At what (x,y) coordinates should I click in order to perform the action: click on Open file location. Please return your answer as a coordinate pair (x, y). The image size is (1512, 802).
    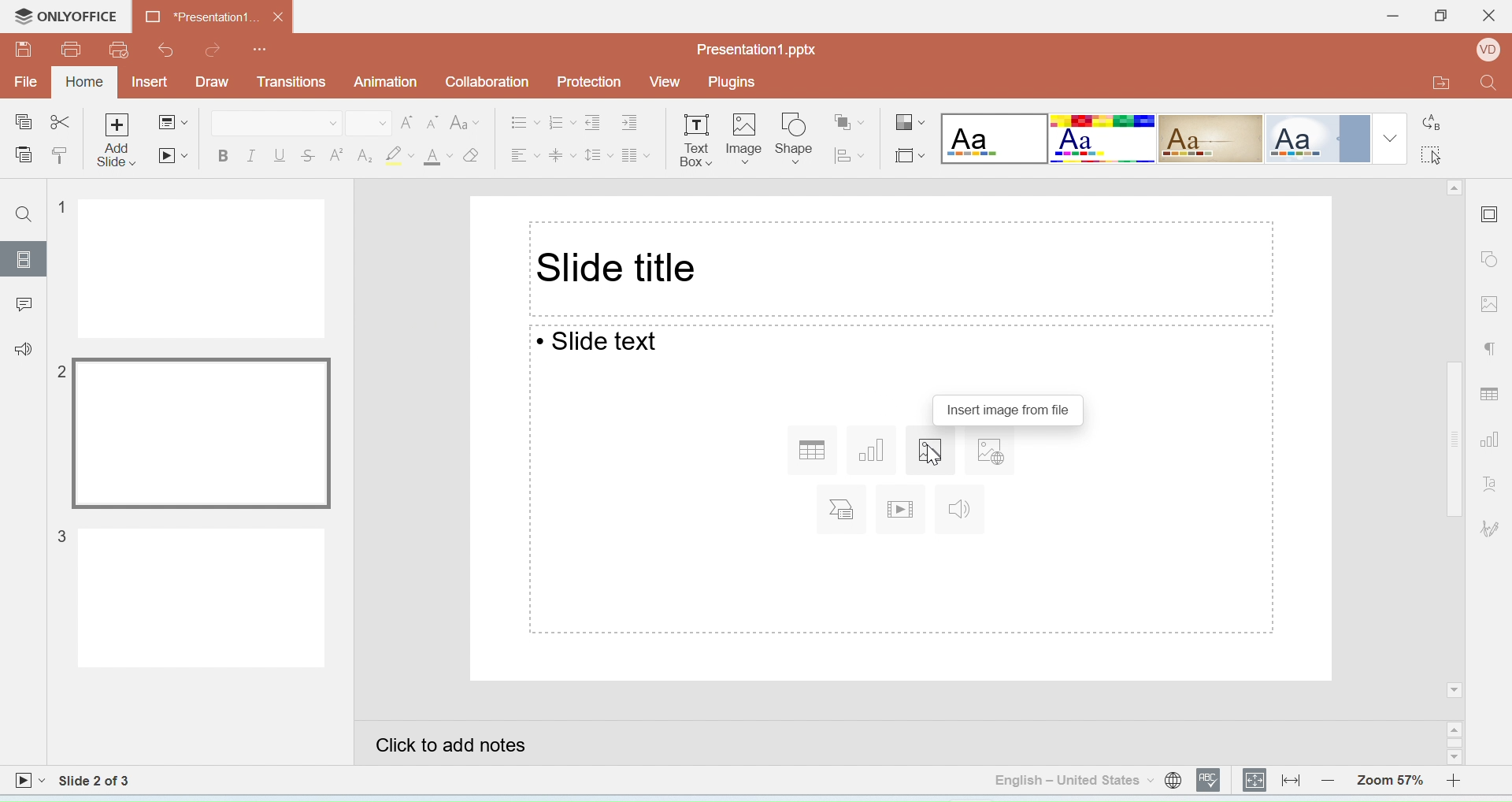
    Looking at the image, I should click on (1431, 84).